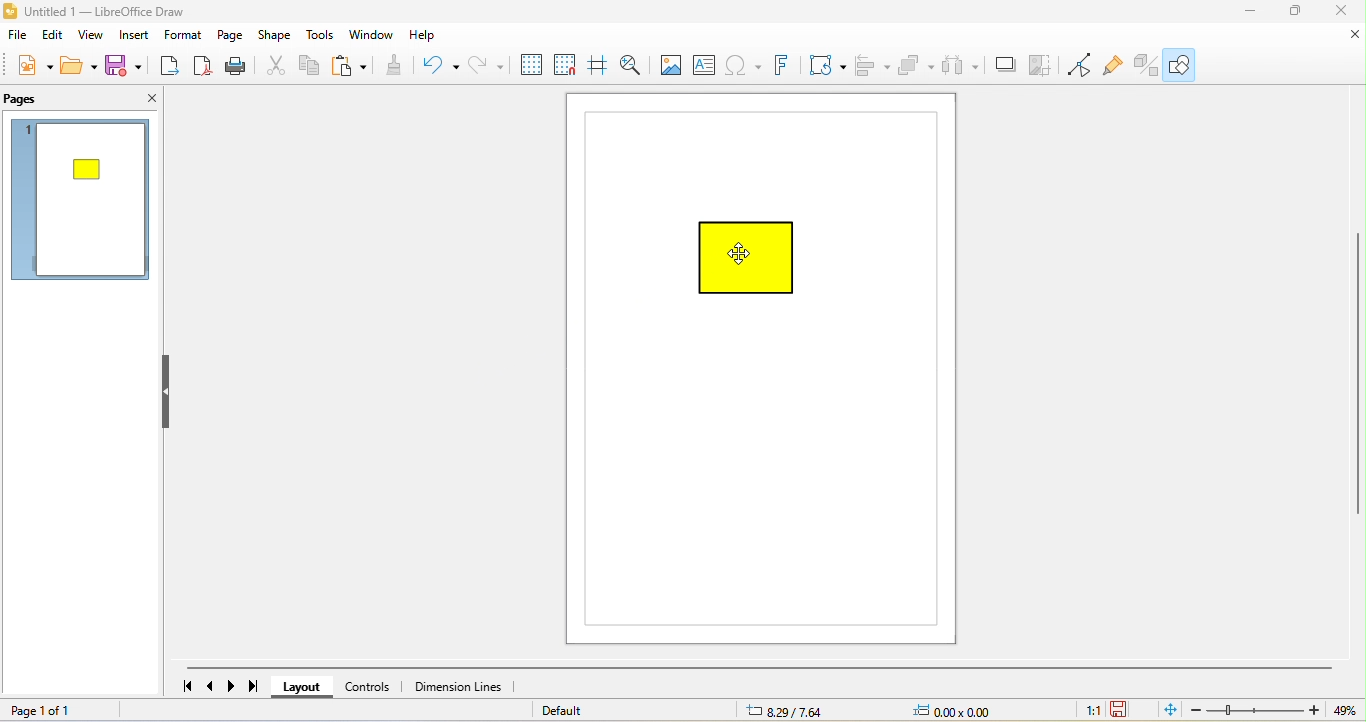  What do you see at coordinates (258, 687) in the screenshot?
I see `last page` at bounding box center [258, 687].